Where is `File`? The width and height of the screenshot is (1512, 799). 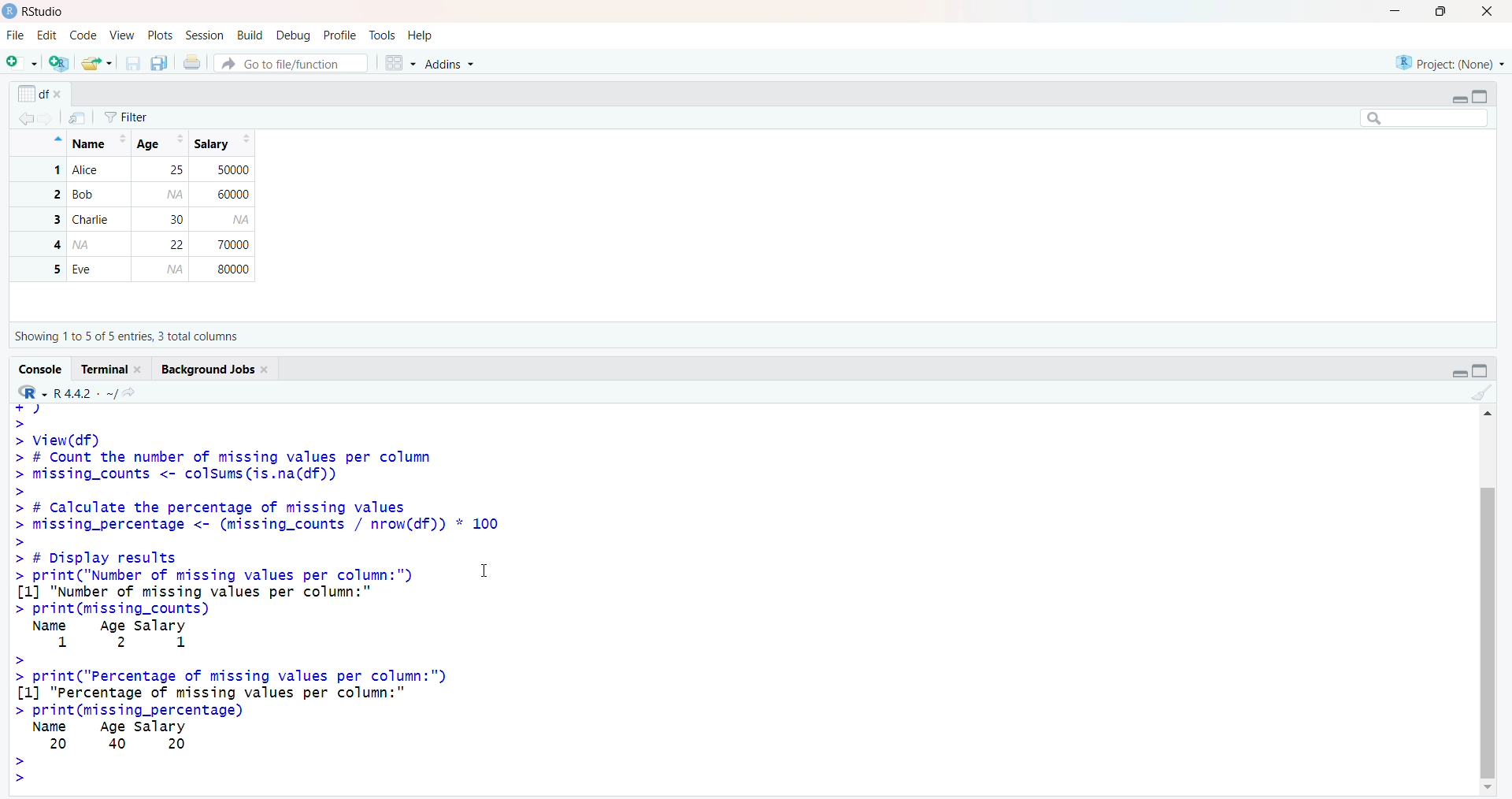 File is located at coordinates (16, 35).